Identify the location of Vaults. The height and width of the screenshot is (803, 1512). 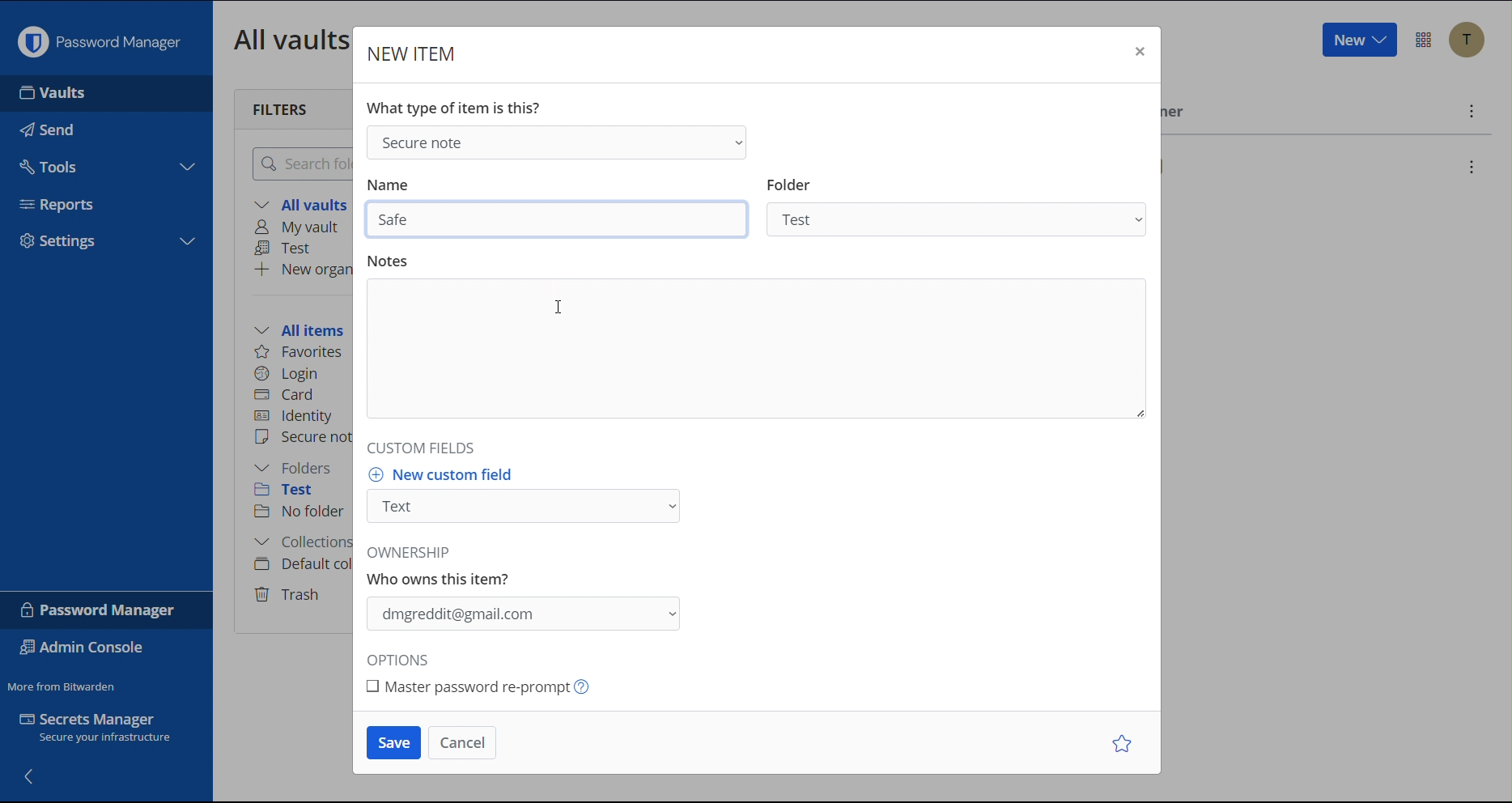
(104, 93).